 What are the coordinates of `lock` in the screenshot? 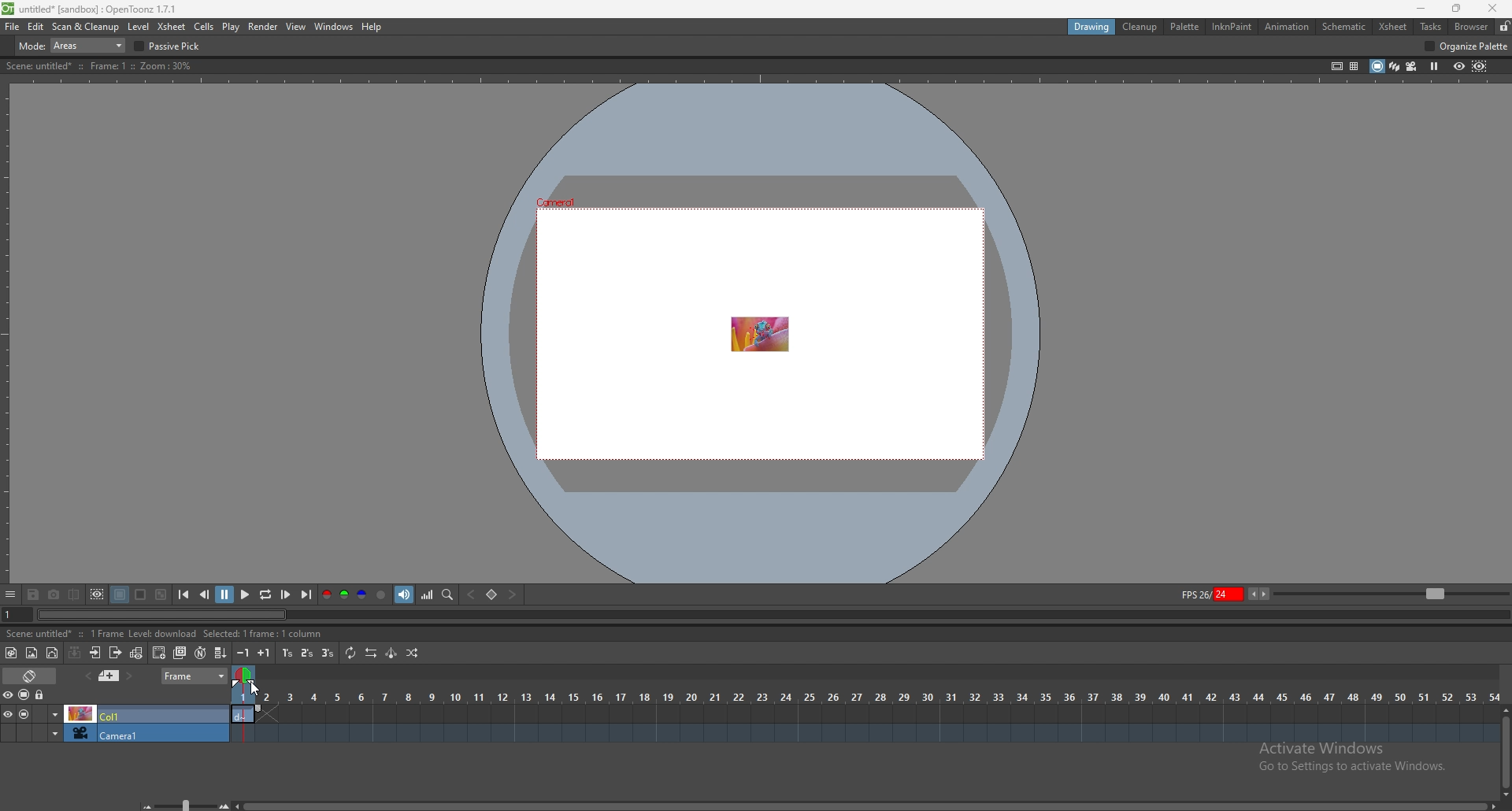 It's located at (41, 694).